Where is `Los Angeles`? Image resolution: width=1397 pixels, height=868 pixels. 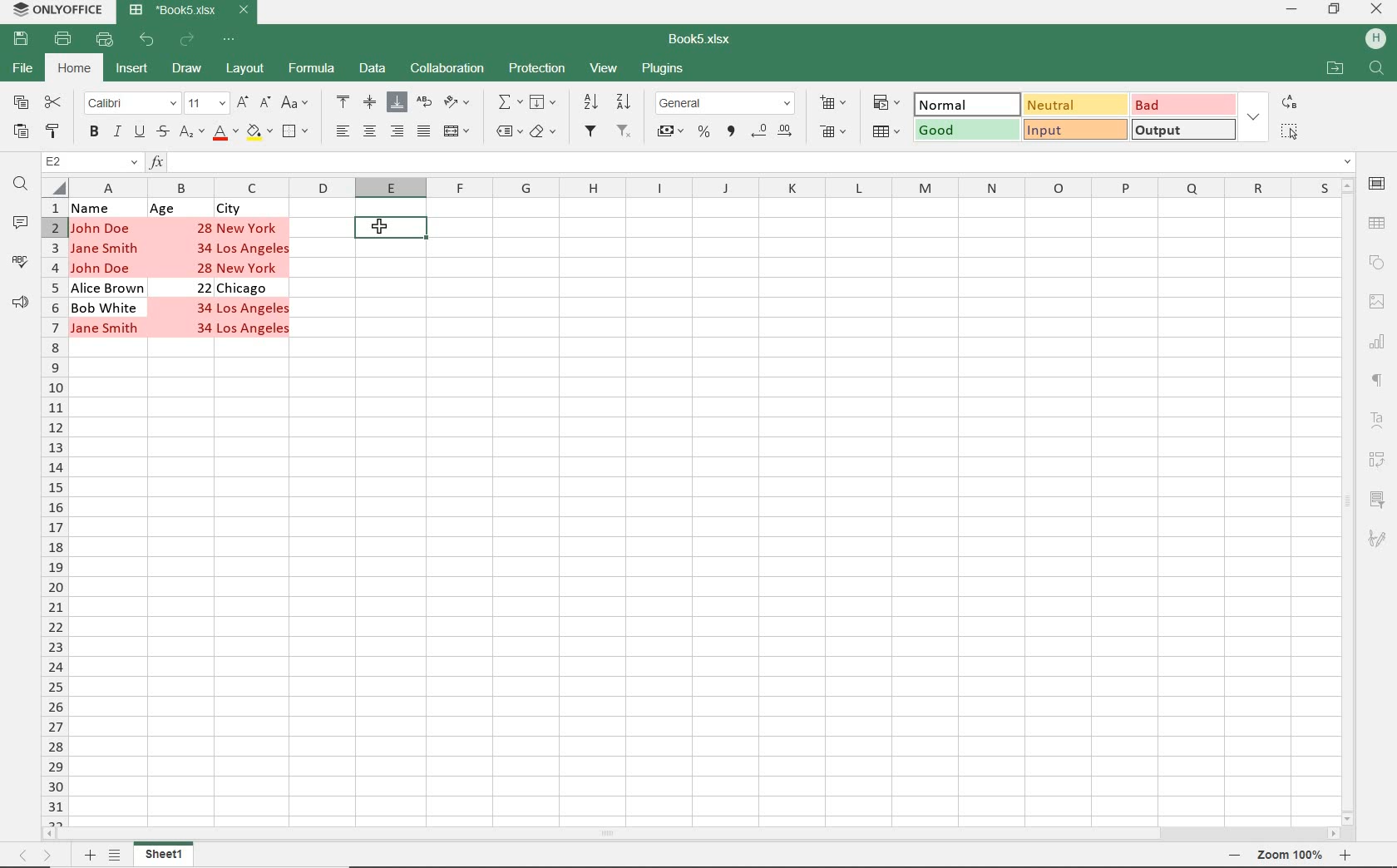 Los Angeles is located at coordinates (254, 309).